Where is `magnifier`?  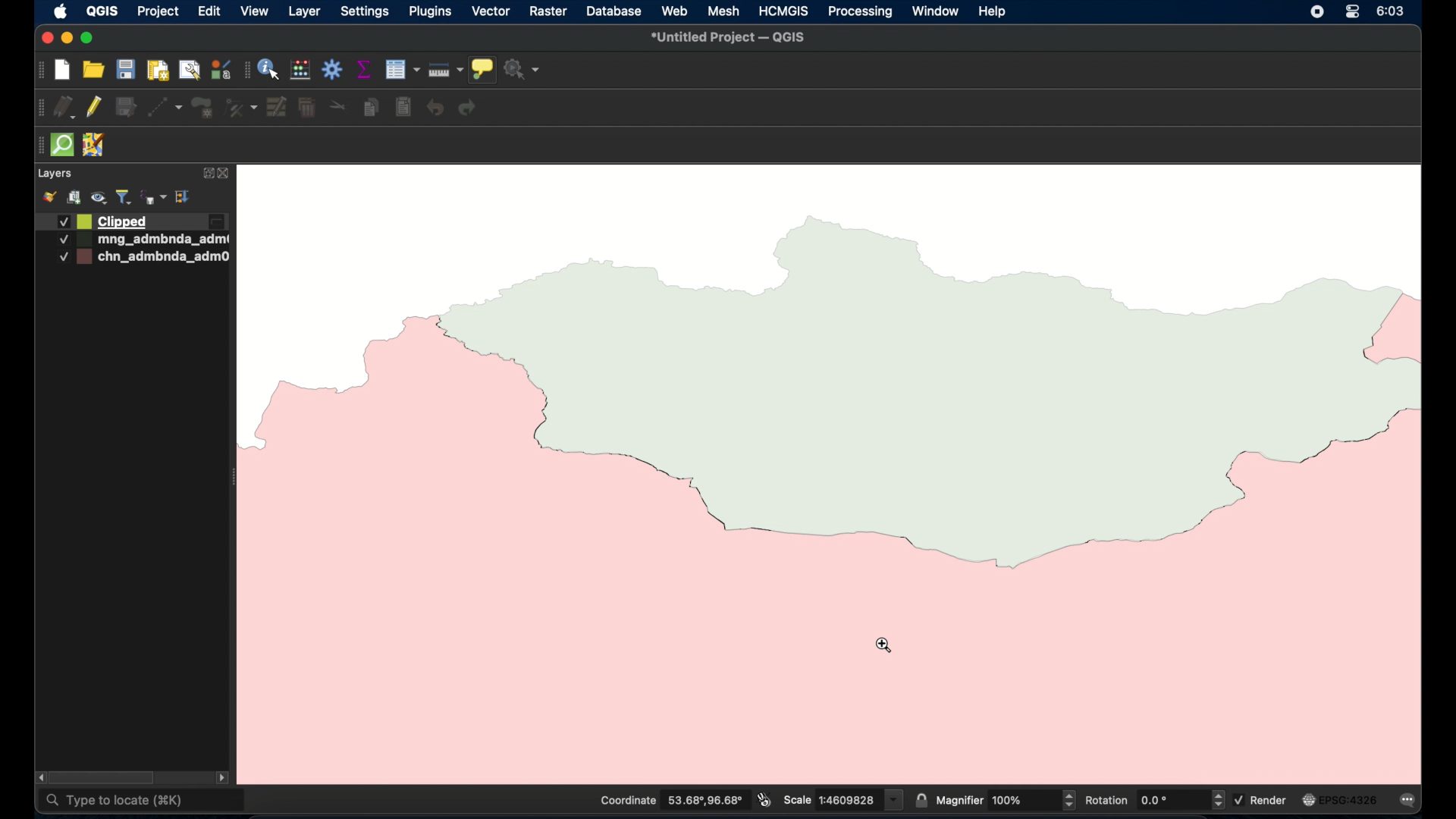
magnifier is located at coordinates (1006, 799).